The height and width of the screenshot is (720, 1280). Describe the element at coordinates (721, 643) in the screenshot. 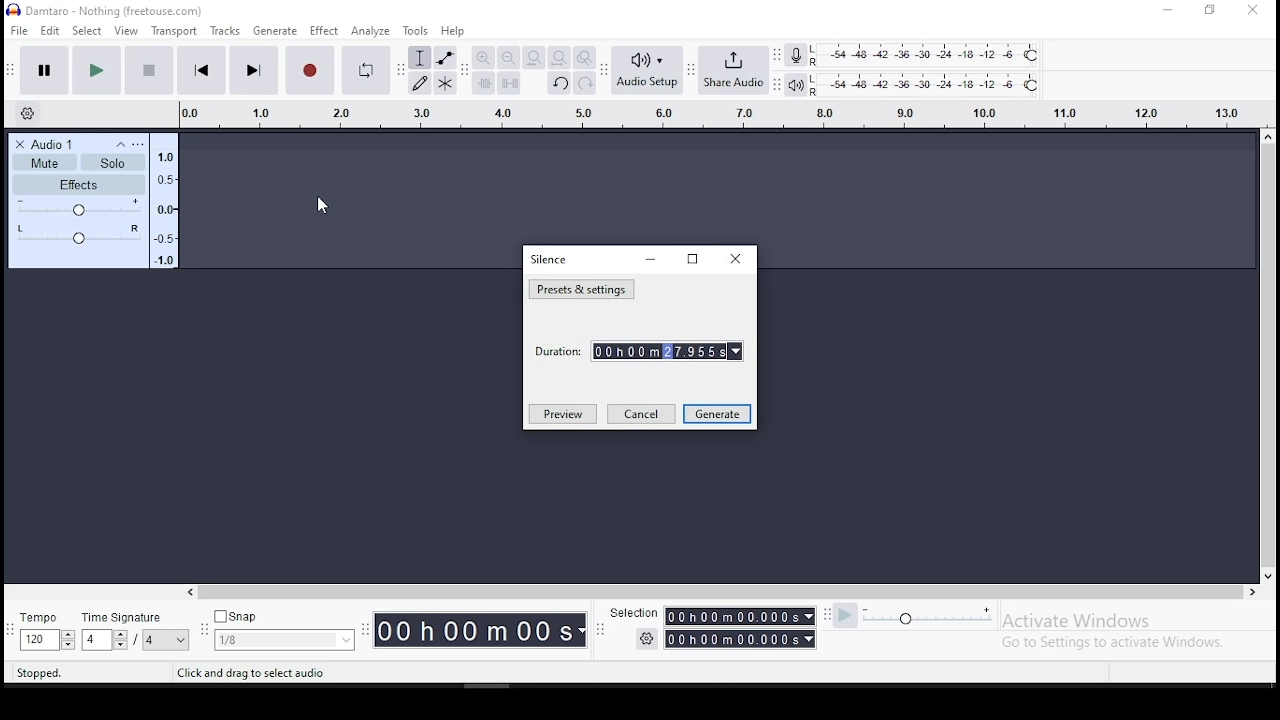

I see `Timer with settings` at that location.